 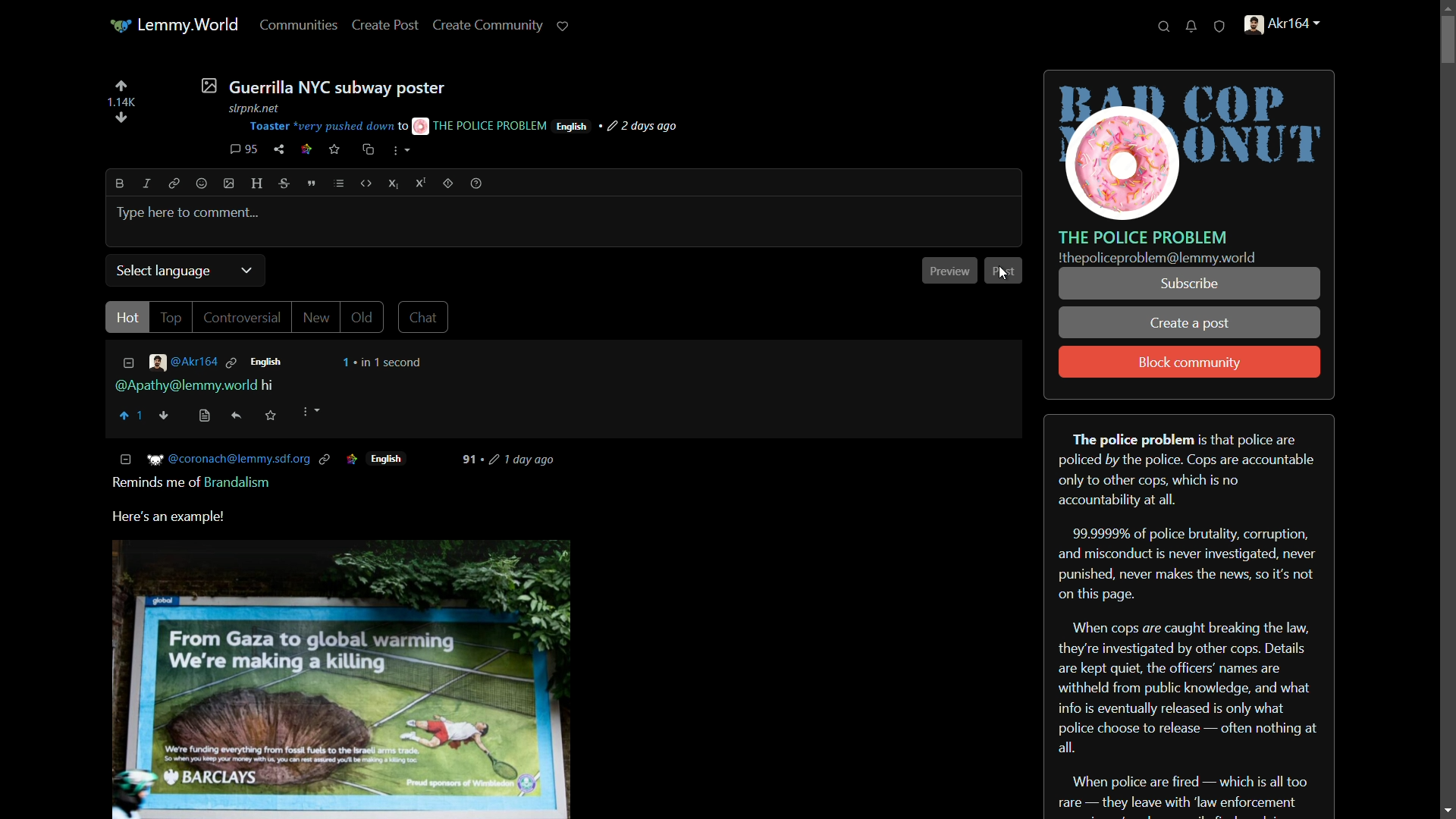 I want to click on ‘@coronach@lemmy.sdf.org, so click(x=238, y=460).